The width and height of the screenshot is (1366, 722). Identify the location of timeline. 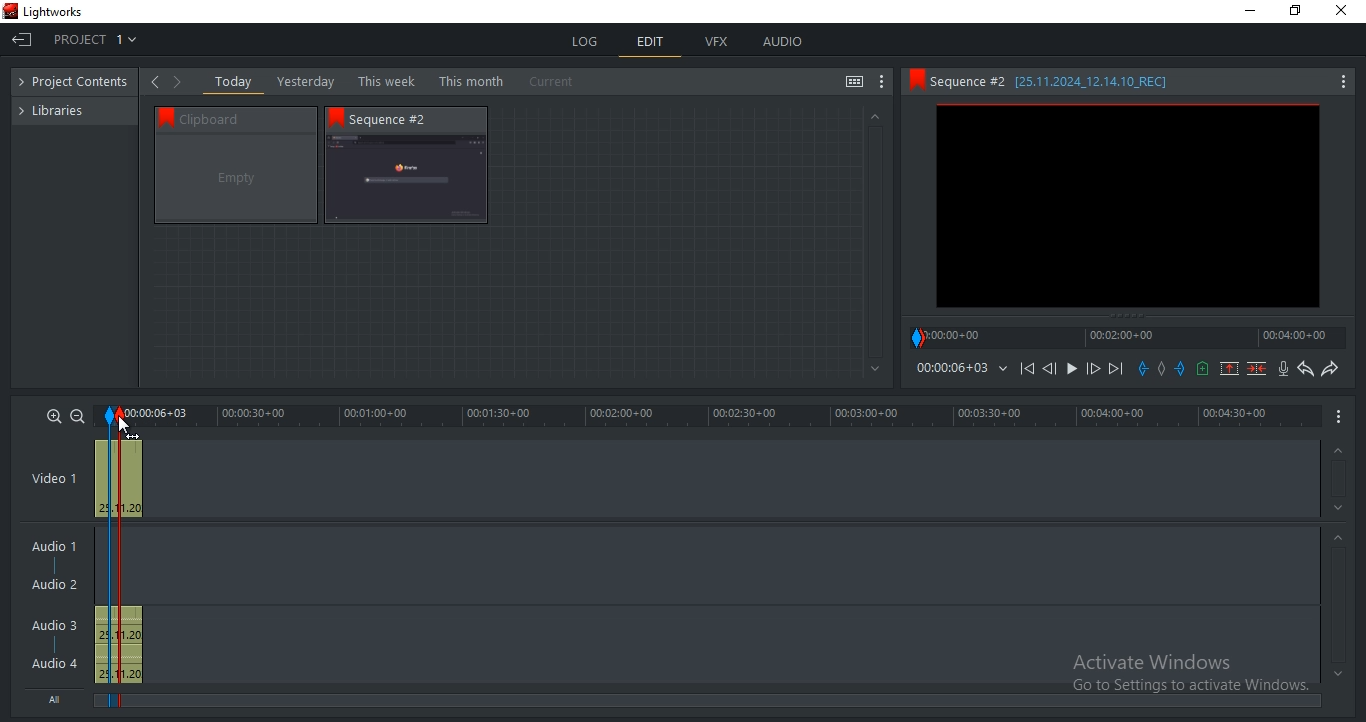
(951, 368).